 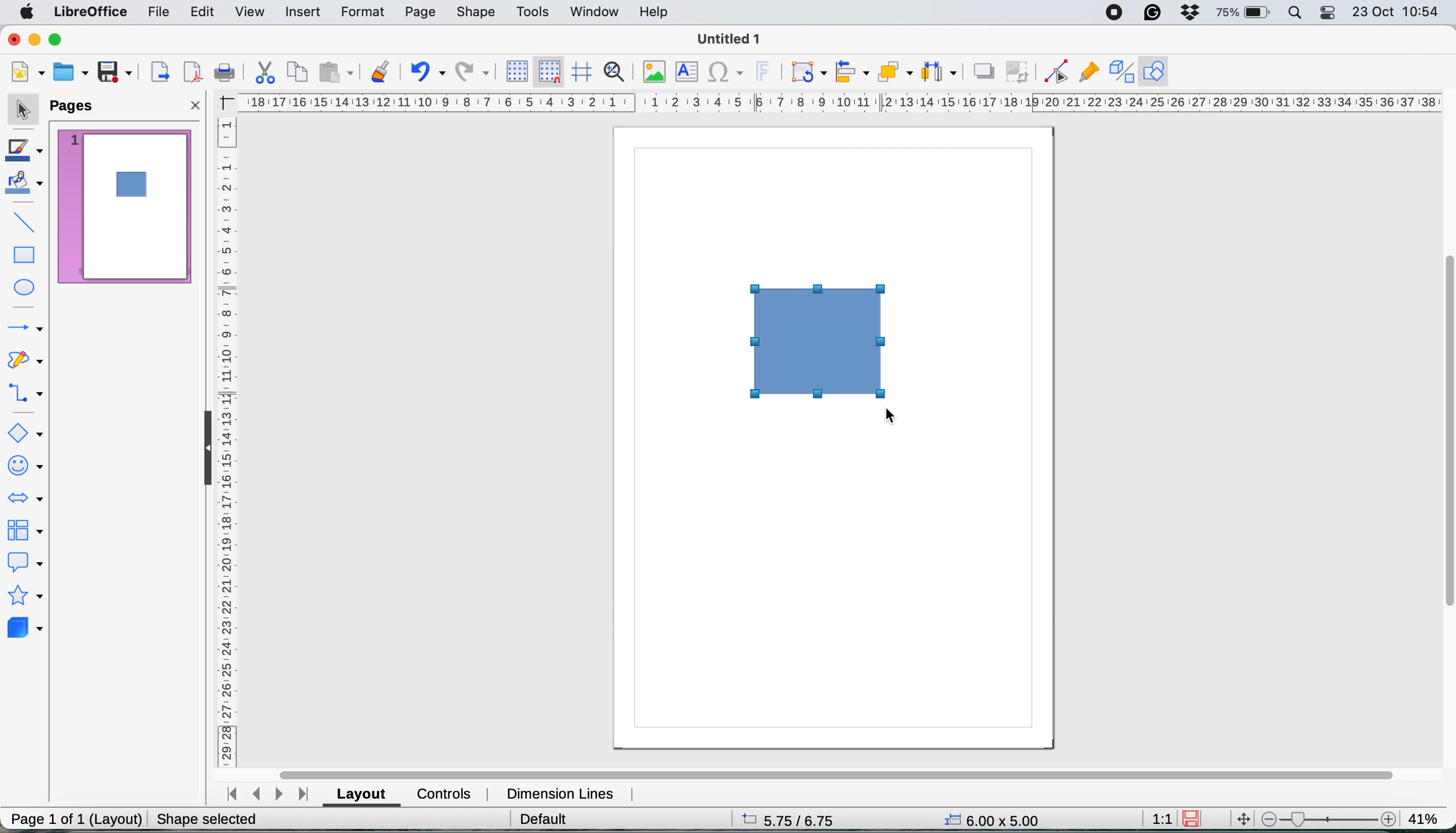 I want to click on stars and banners, so click(x=25, y=597).